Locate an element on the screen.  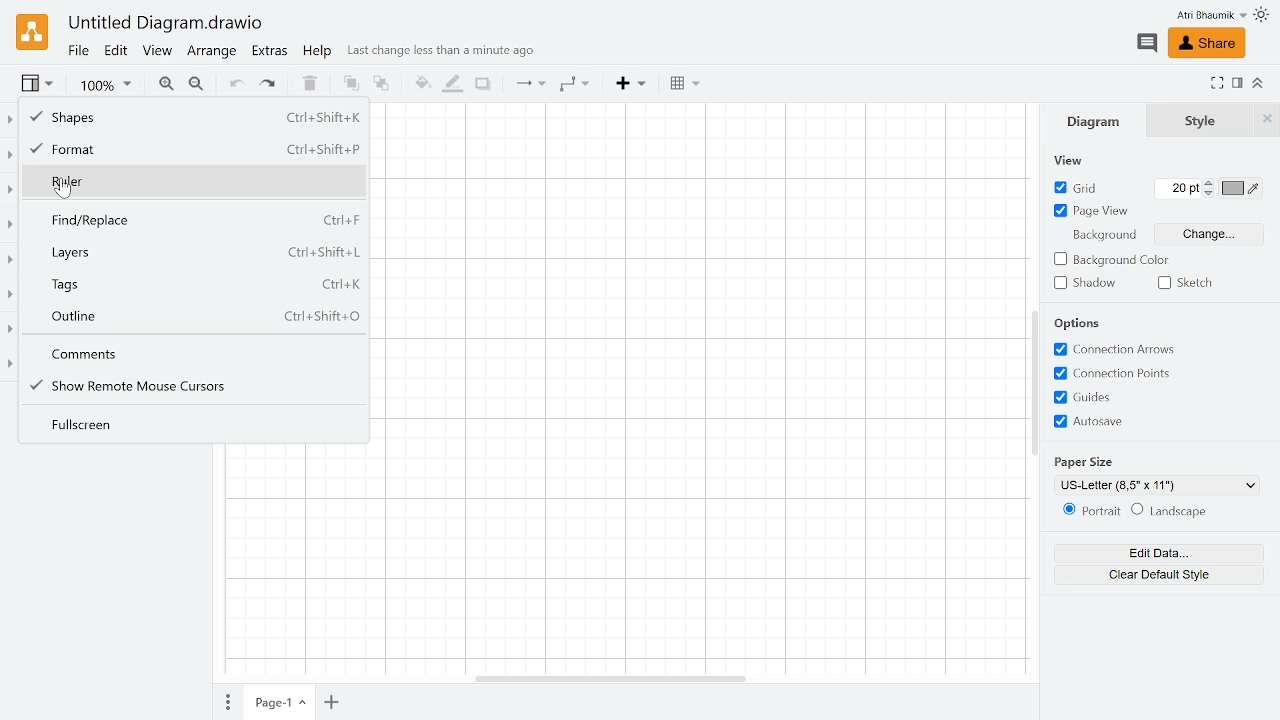
Diagram is located at coordinates (1101, 121).